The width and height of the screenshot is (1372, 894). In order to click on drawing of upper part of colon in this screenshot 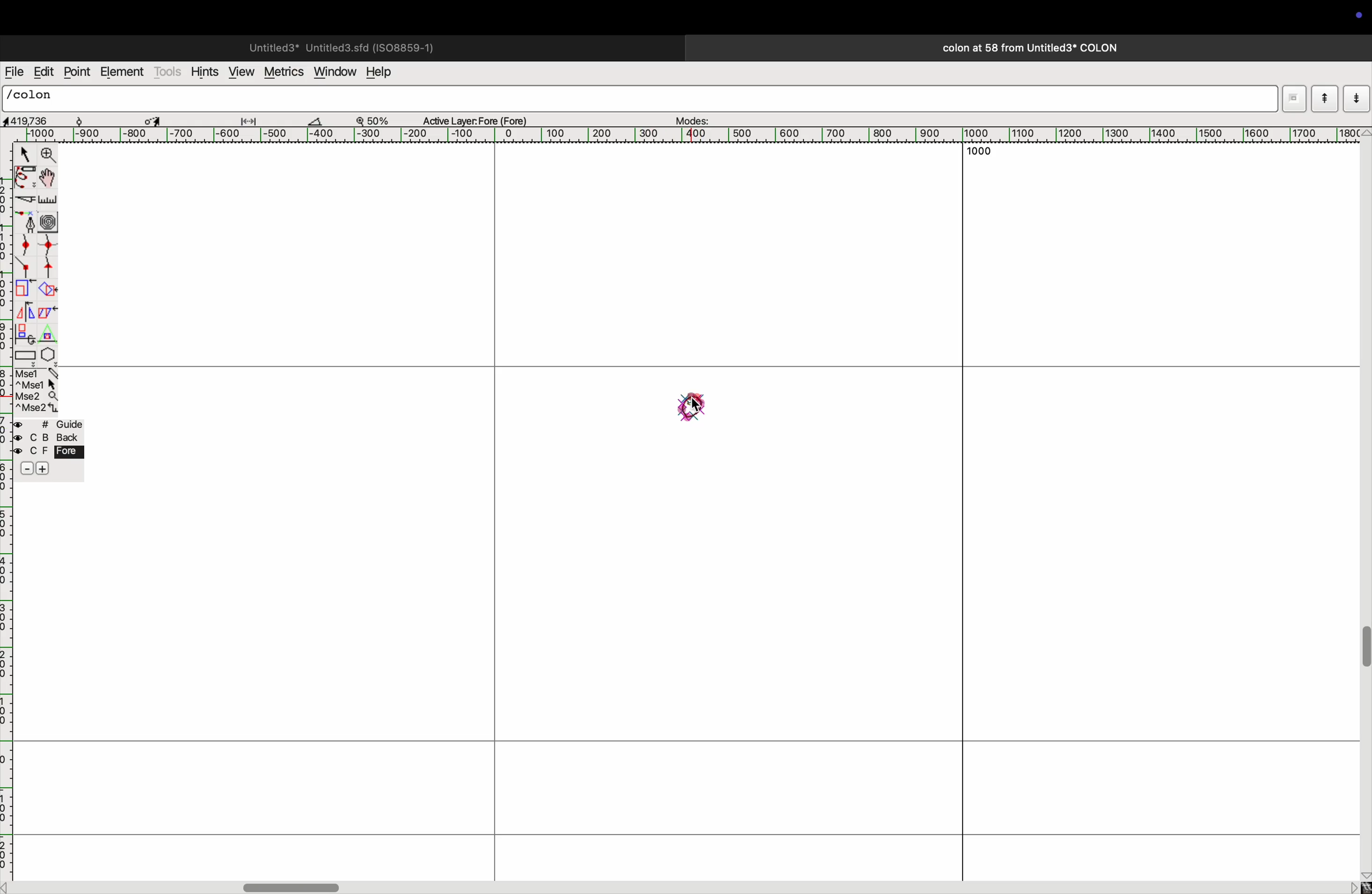, I will do `click(698, 401)`.